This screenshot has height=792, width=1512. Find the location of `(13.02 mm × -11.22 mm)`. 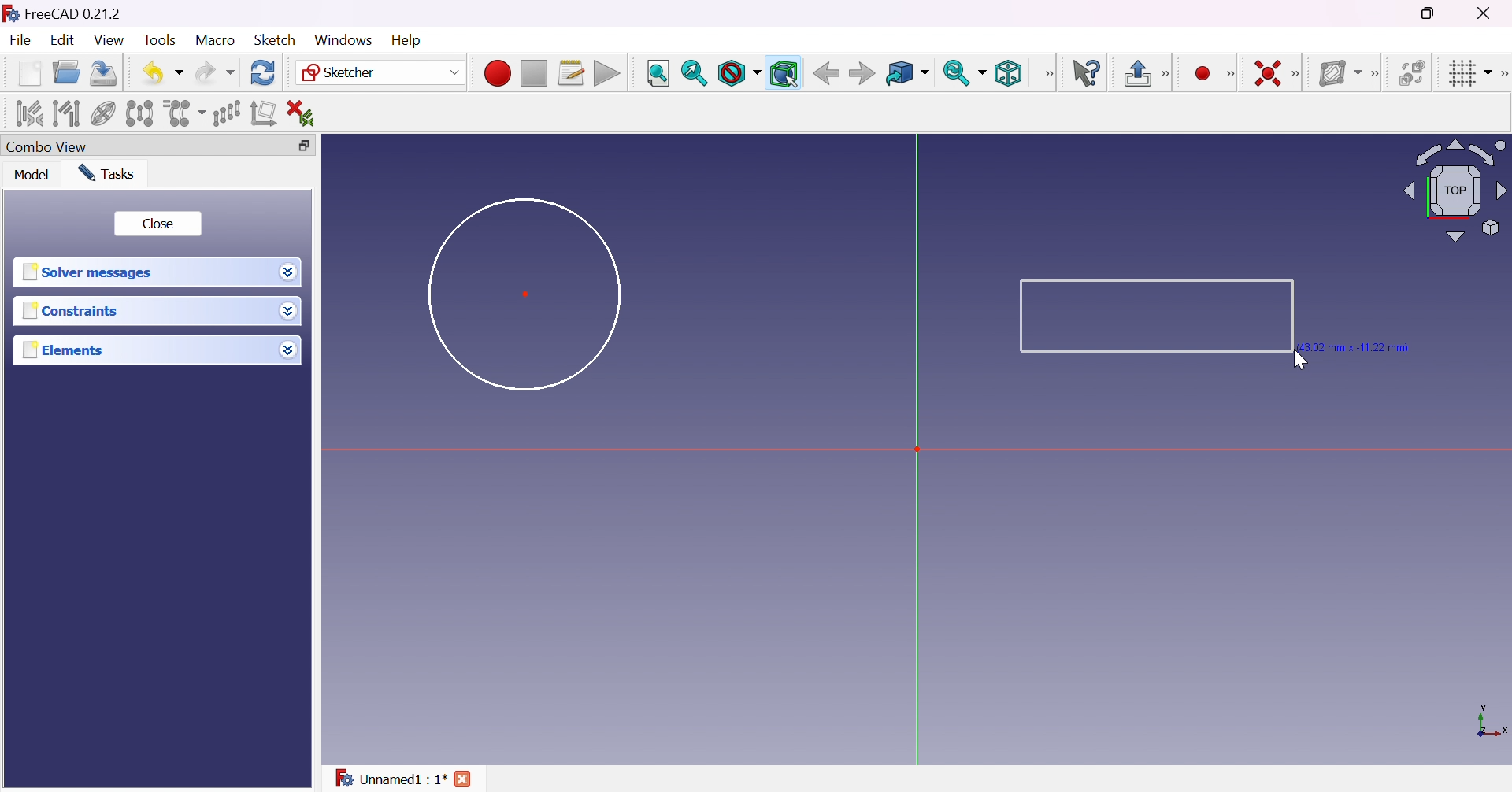

(13.02 mm × -11.22 mm) is located at coordinates (1360, 346).